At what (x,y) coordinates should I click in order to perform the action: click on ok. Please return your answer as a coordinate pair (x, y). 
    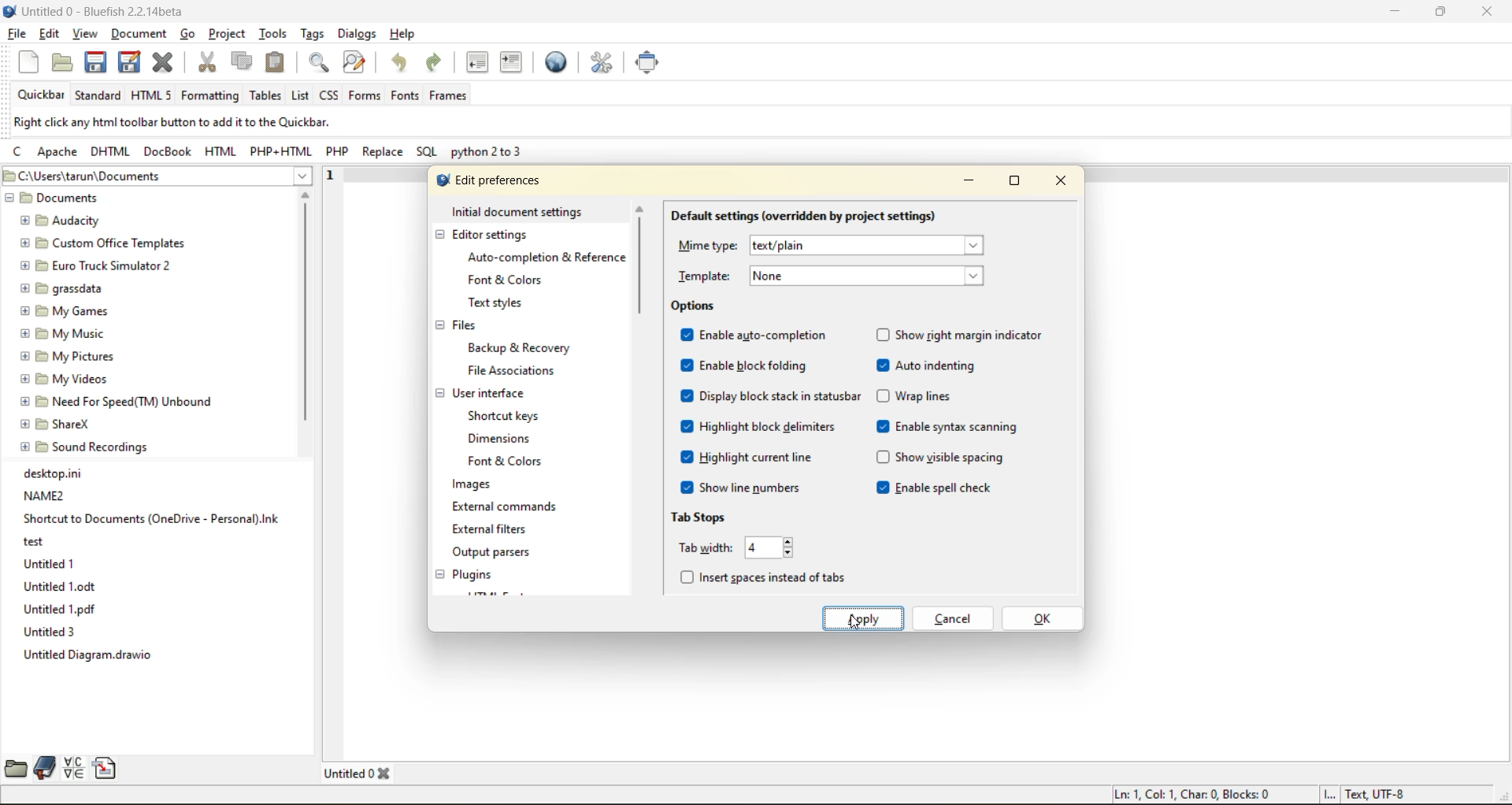
    Looking at the image, I should click on (1041, 618).